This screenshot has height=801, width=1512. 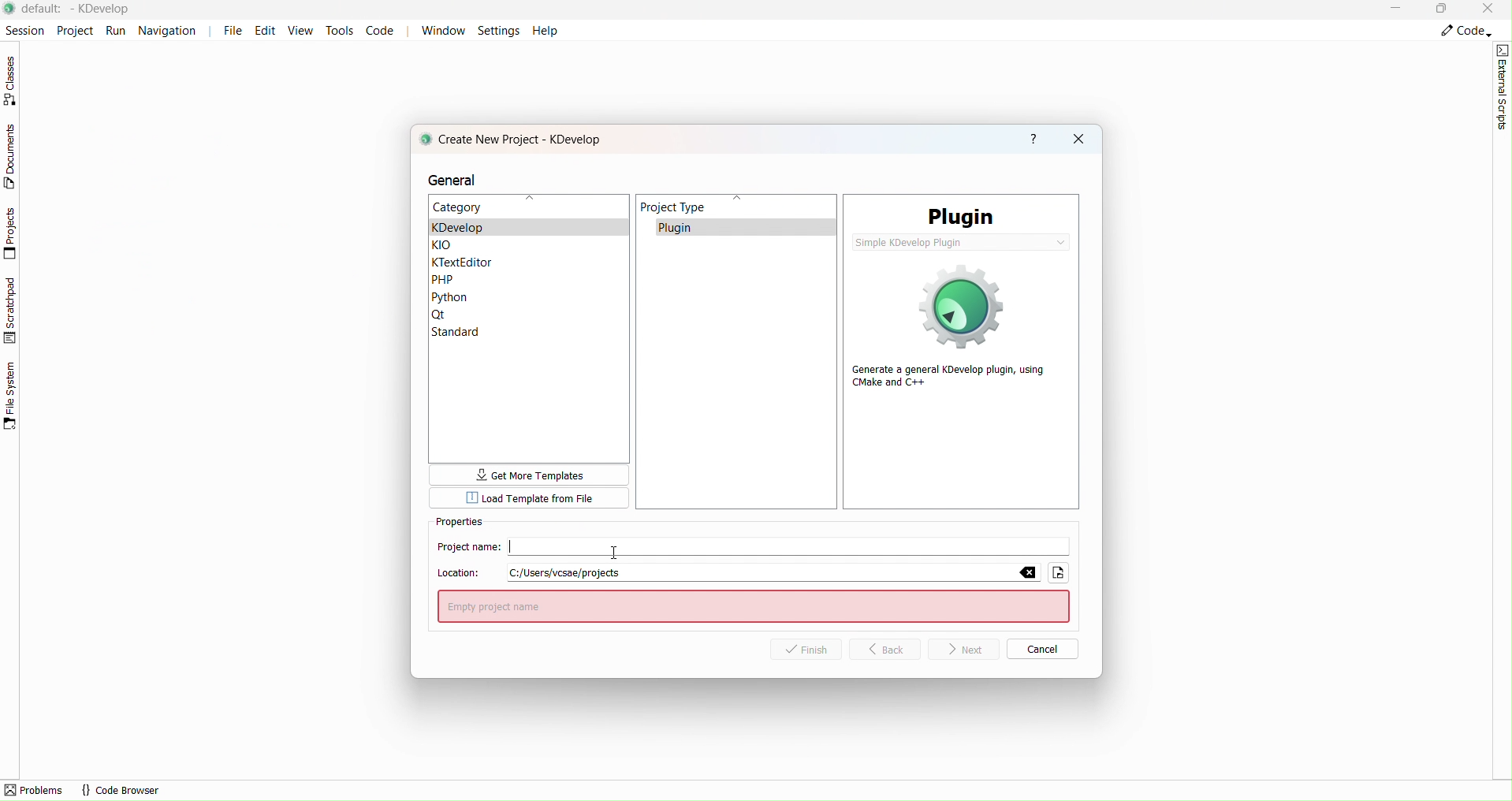 What do you see at coordinates (1465, 32) in the screenshot?
I see `Code` at bounding box center [1465, 32].